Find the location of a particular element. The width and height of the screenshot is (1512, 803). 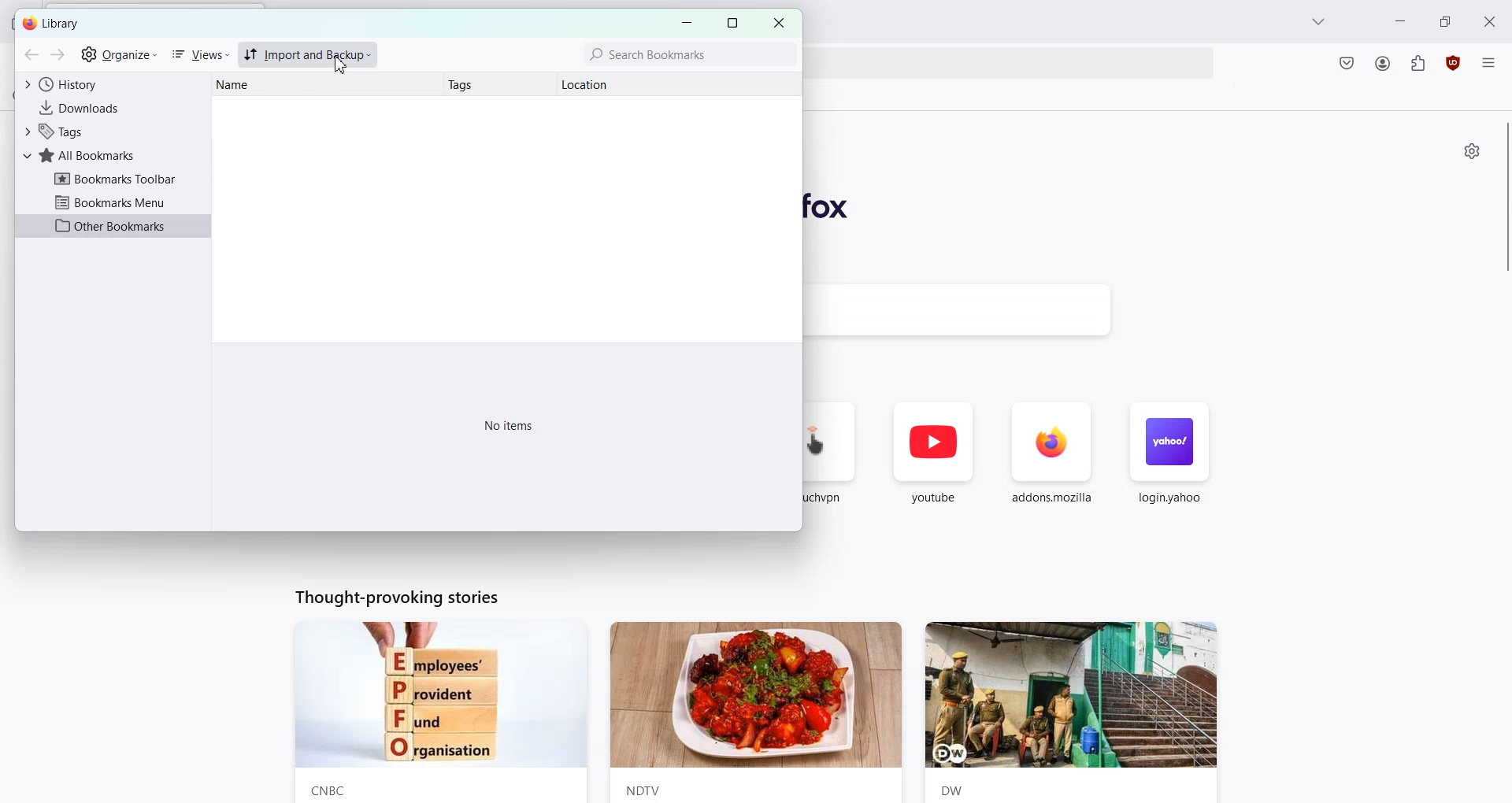

Import and Backup is located at coordinates (308, 55).